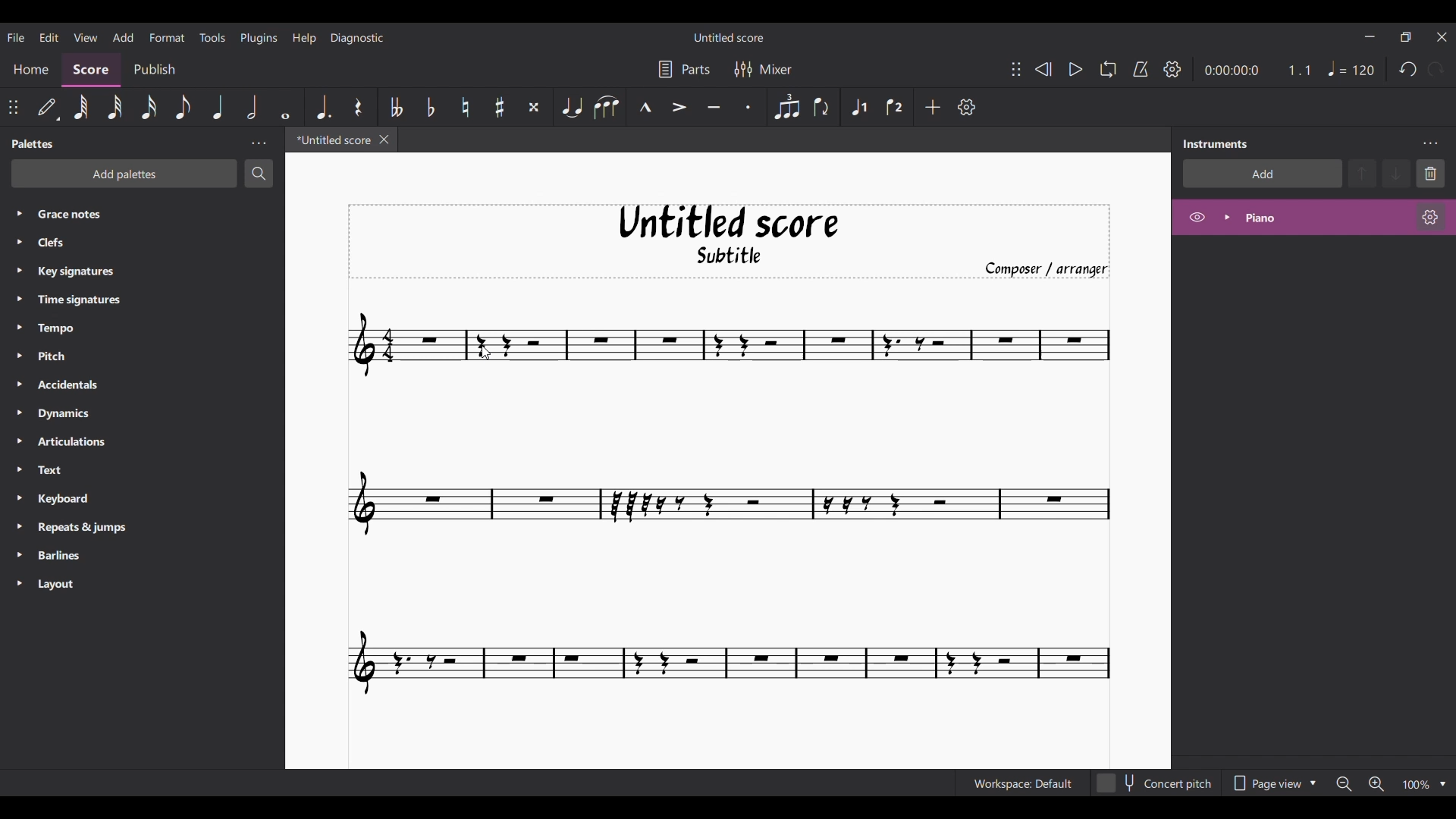  Describe the element at coordinates (431, 107) in the screenshot. I see `Toggle flat` at that location.